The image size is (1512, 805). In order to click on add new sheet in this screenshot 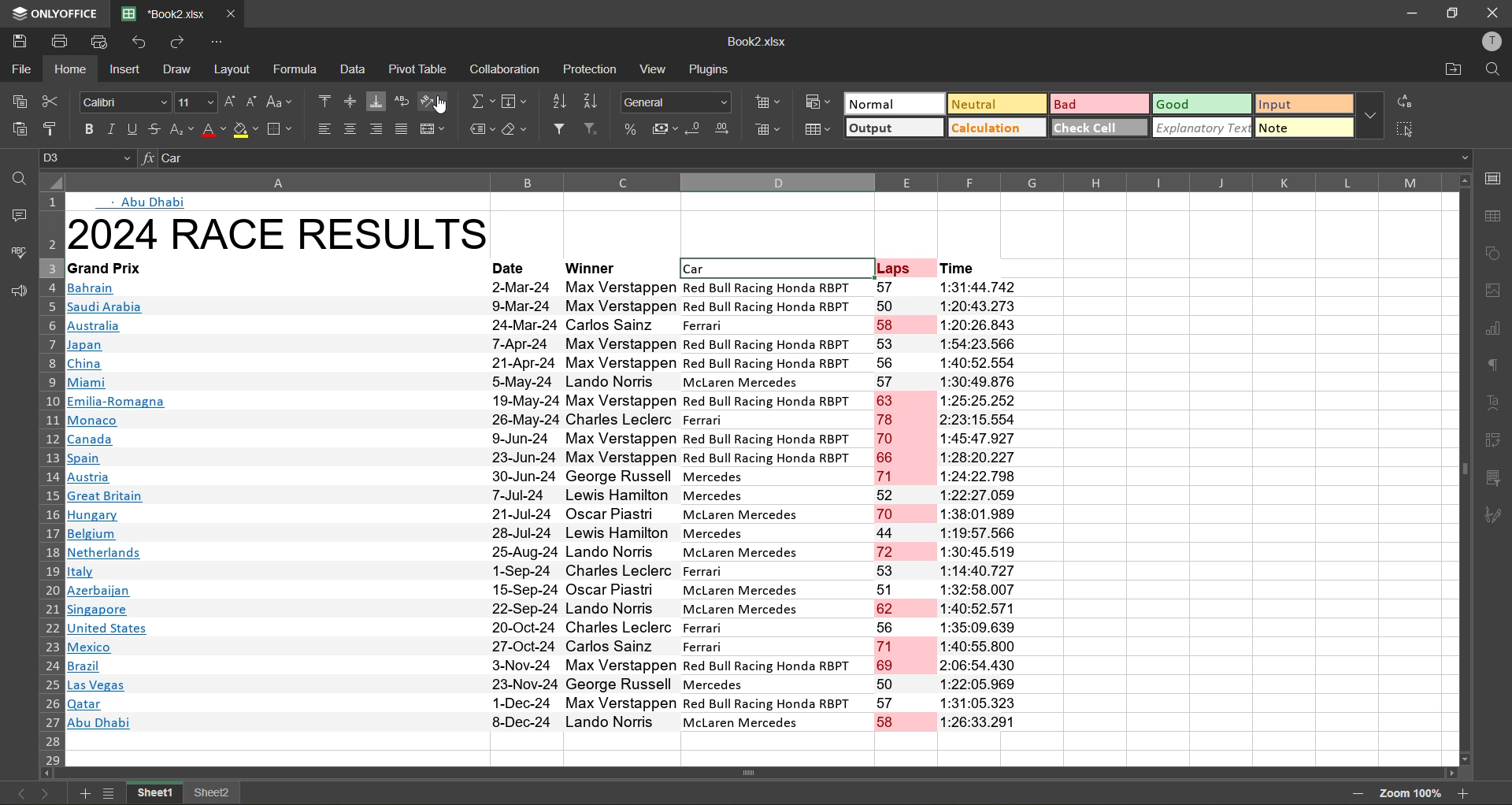, I will do `click(82, 793)`.